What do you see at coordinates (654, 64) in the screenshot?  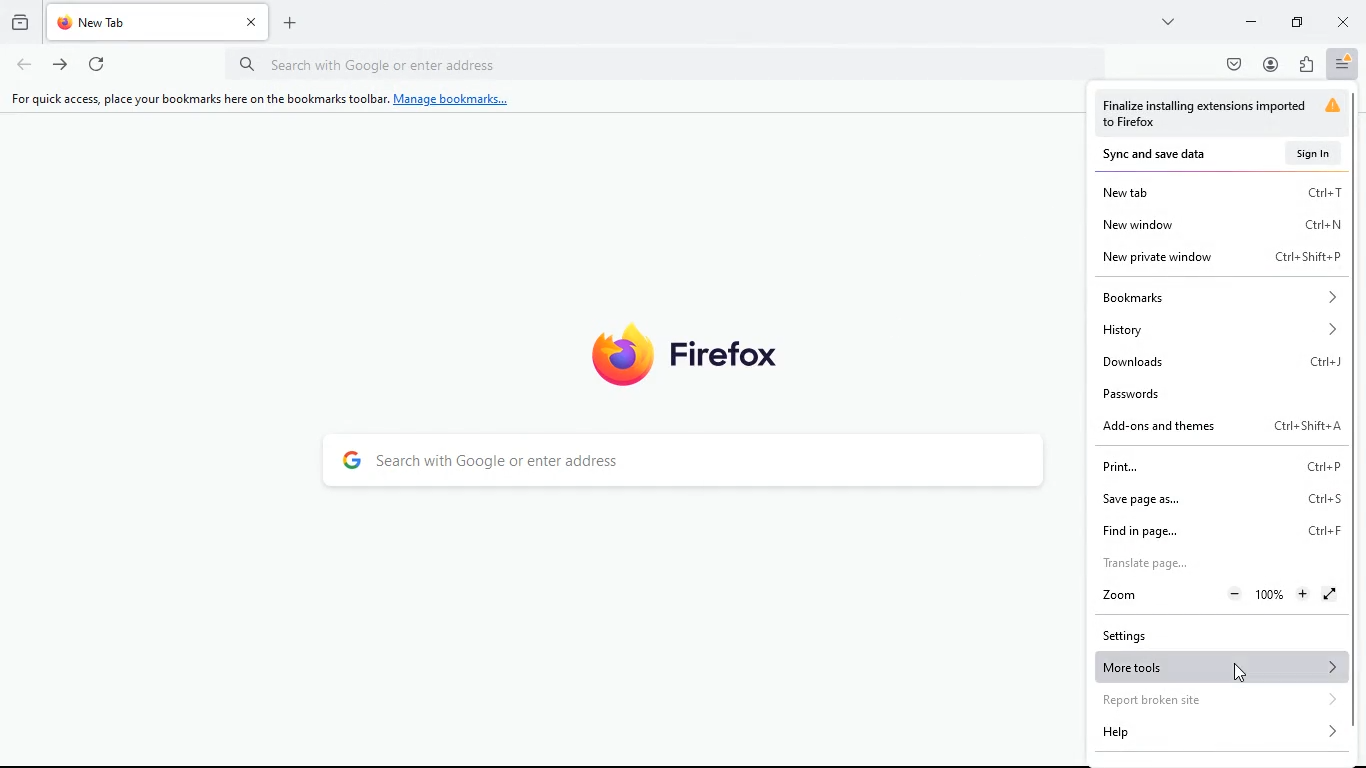 I see `url` at bounding box center [654, 64].